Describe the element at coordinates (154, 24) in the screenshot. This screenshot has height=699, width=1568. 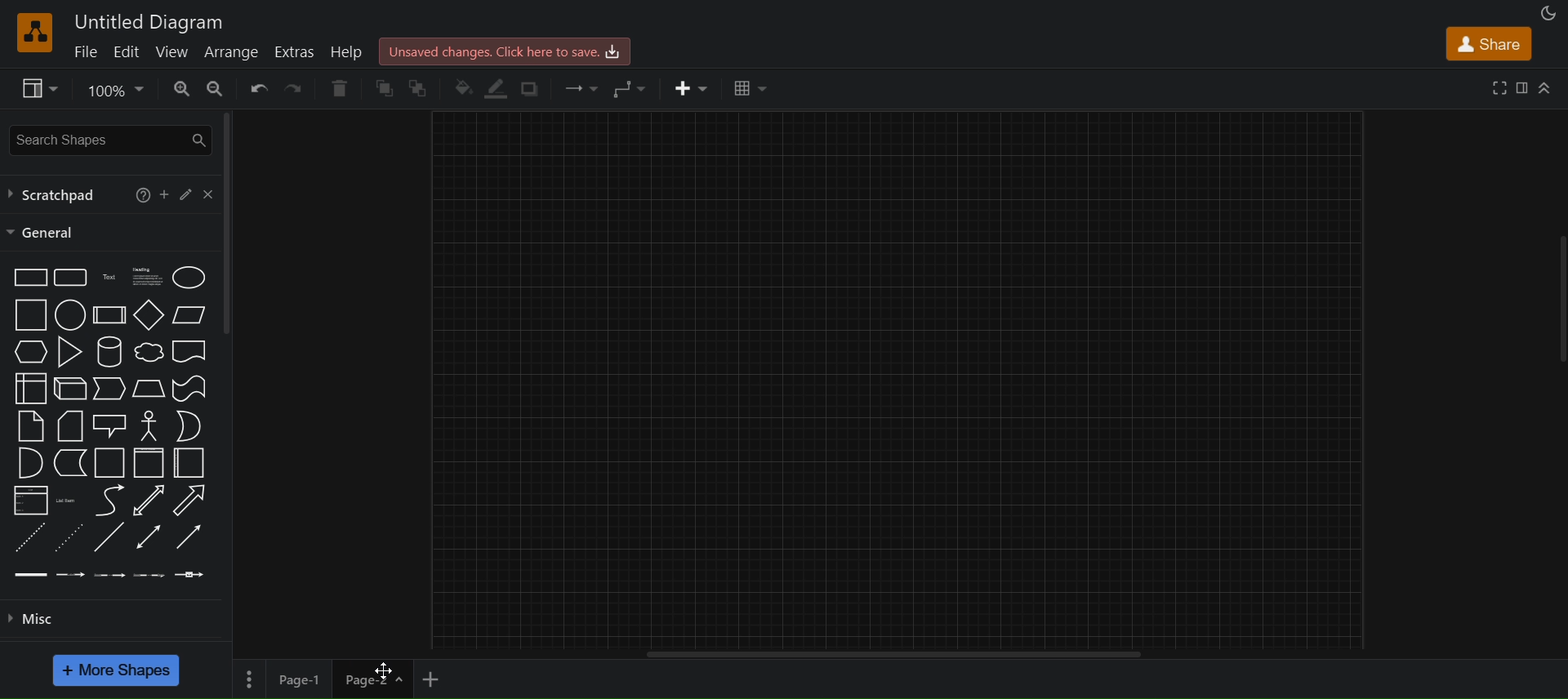
I see `utitled diagram` at that location.